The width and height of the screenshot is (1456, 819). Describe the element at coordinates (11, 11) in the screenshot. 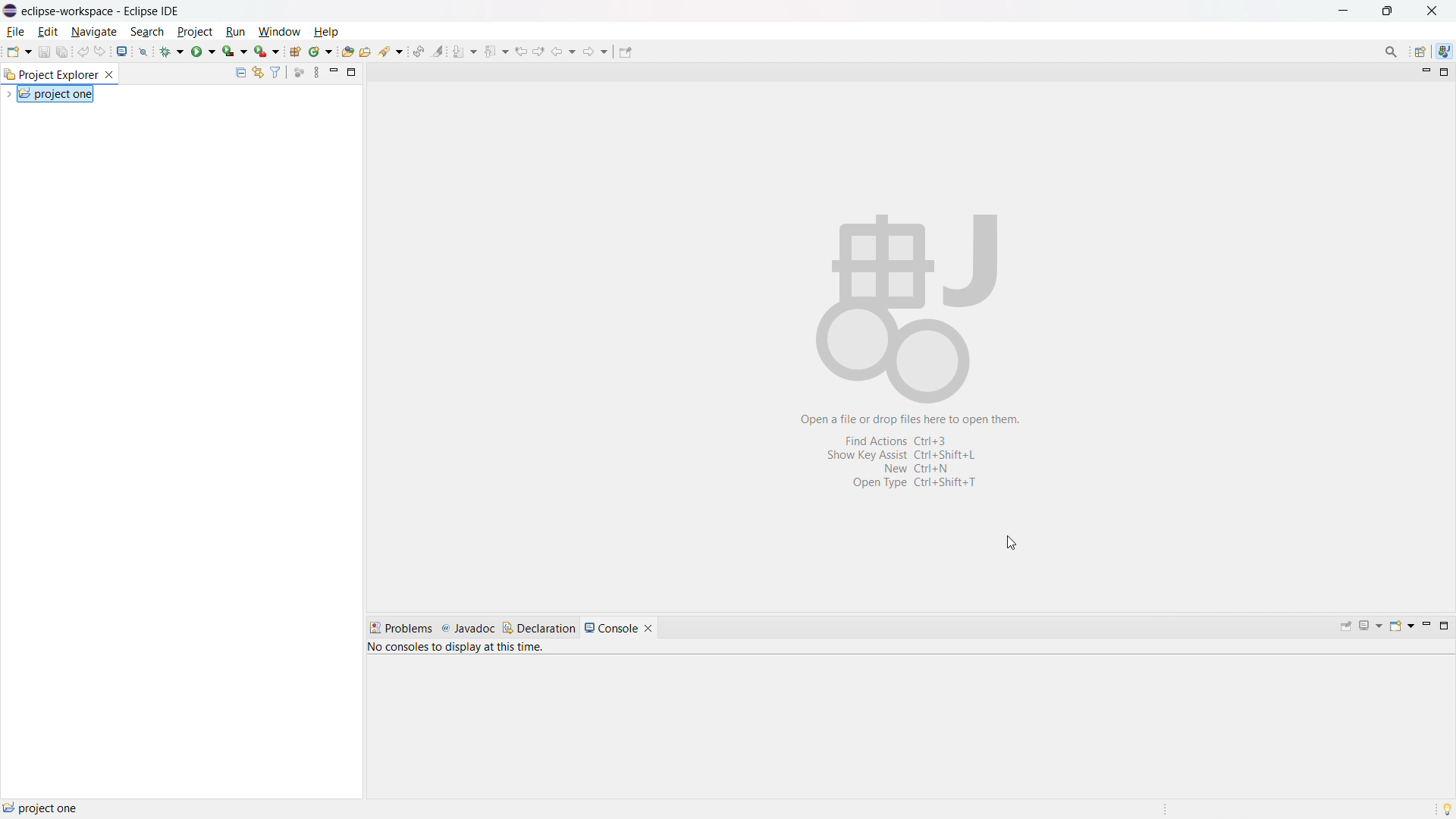

I see `logo` at that location.